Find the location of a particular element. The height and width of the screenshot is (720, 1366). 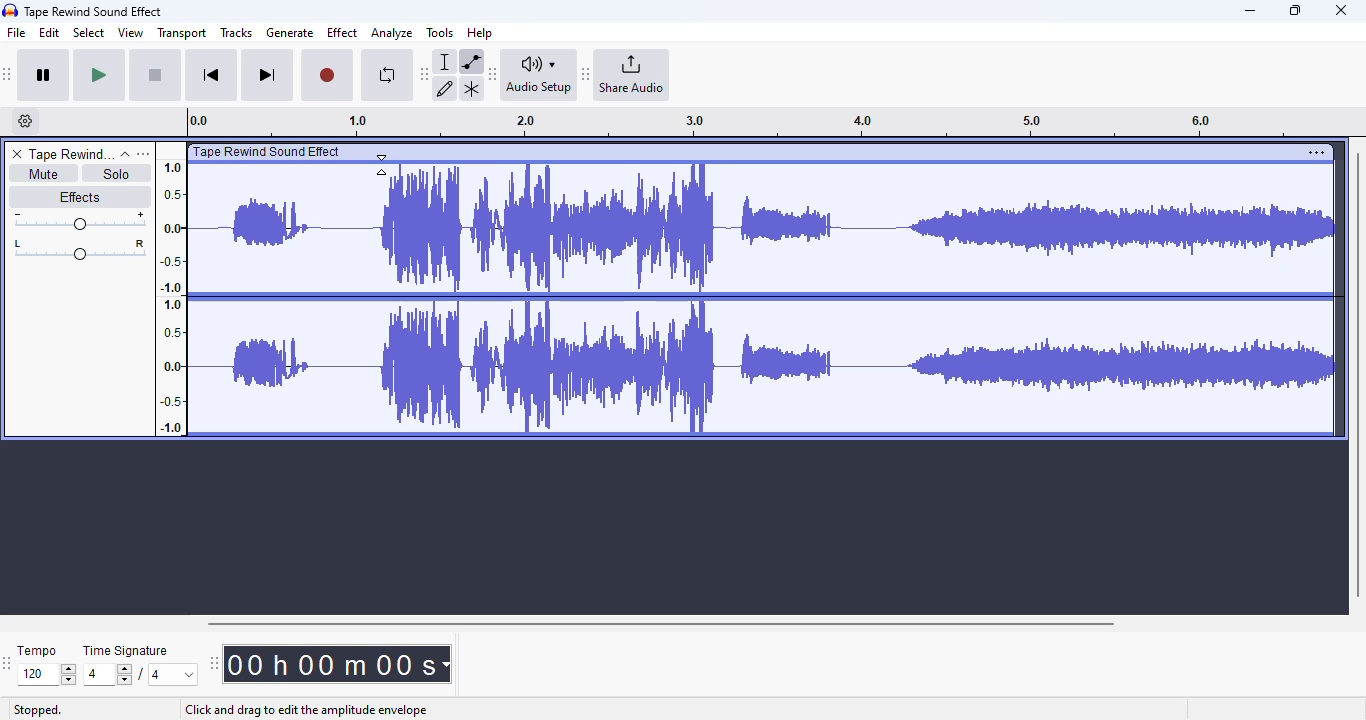

effect is located at coordinates (342, 32).